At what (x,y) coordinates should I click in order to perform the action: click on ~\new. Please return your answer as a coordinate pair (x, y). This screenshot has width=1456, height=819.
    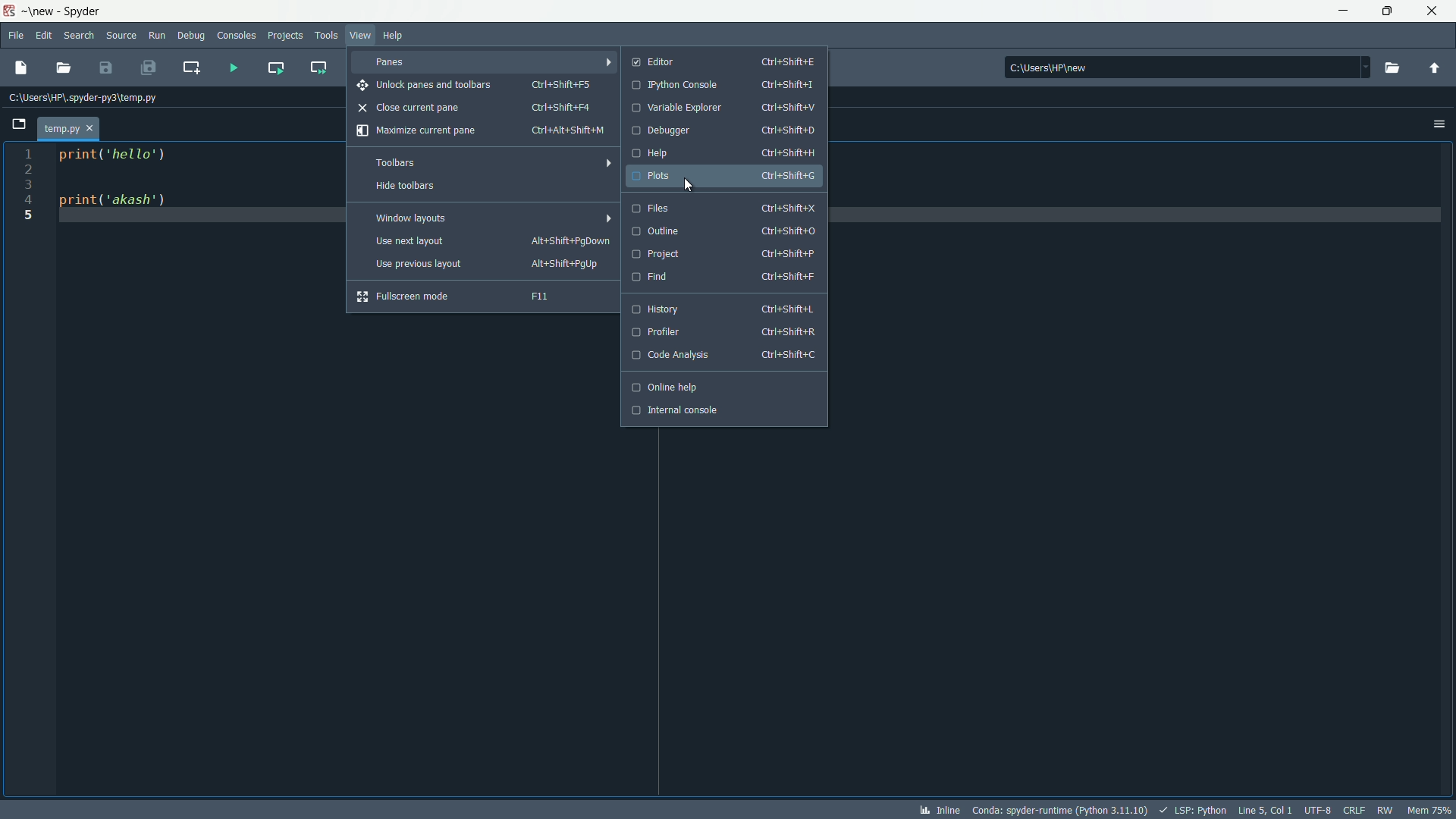
    Looking at the image, I should click on (42, 13).